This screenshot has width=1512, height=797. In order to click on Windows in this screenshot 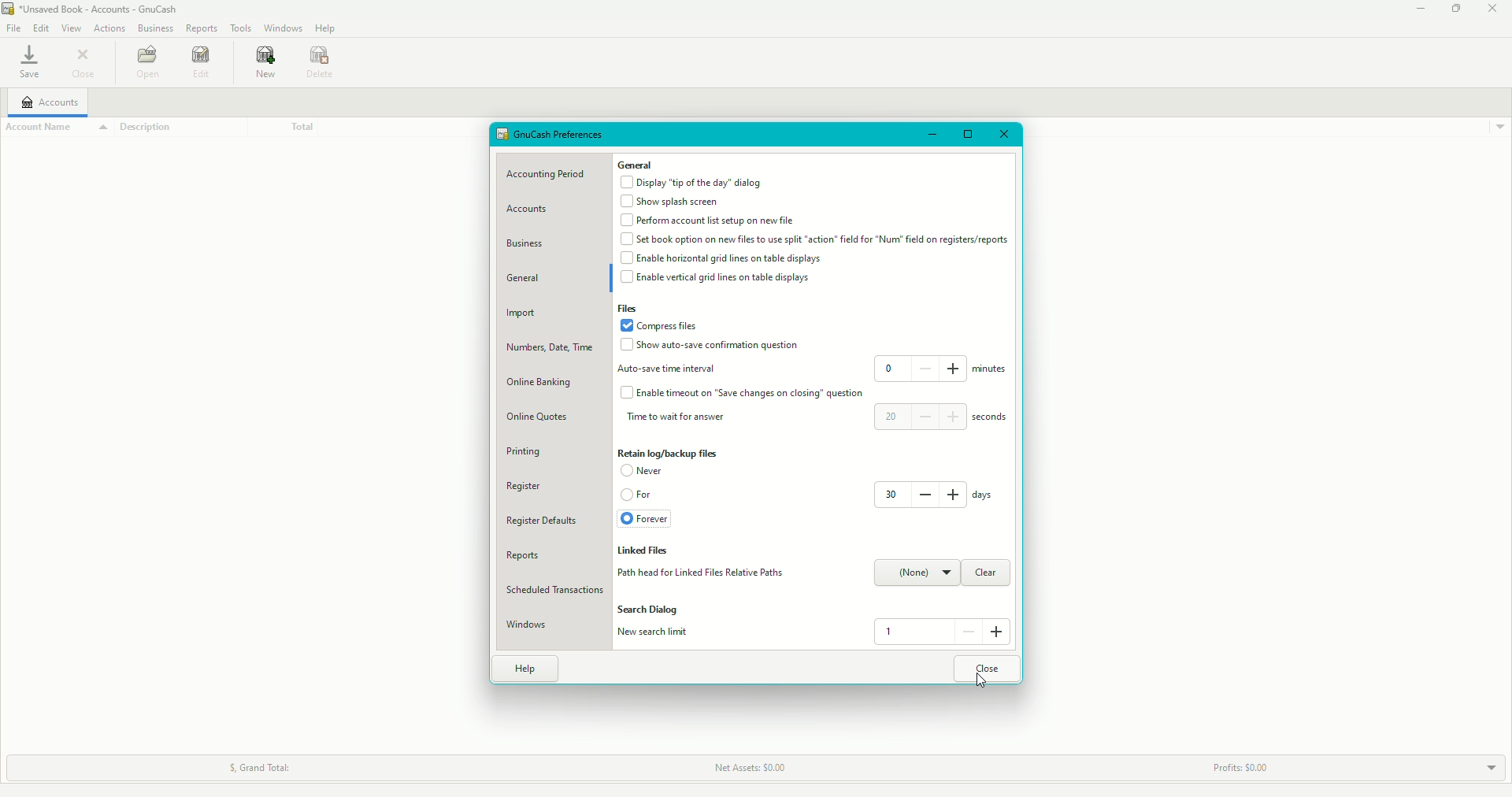, I will do `click(286, 28)`.